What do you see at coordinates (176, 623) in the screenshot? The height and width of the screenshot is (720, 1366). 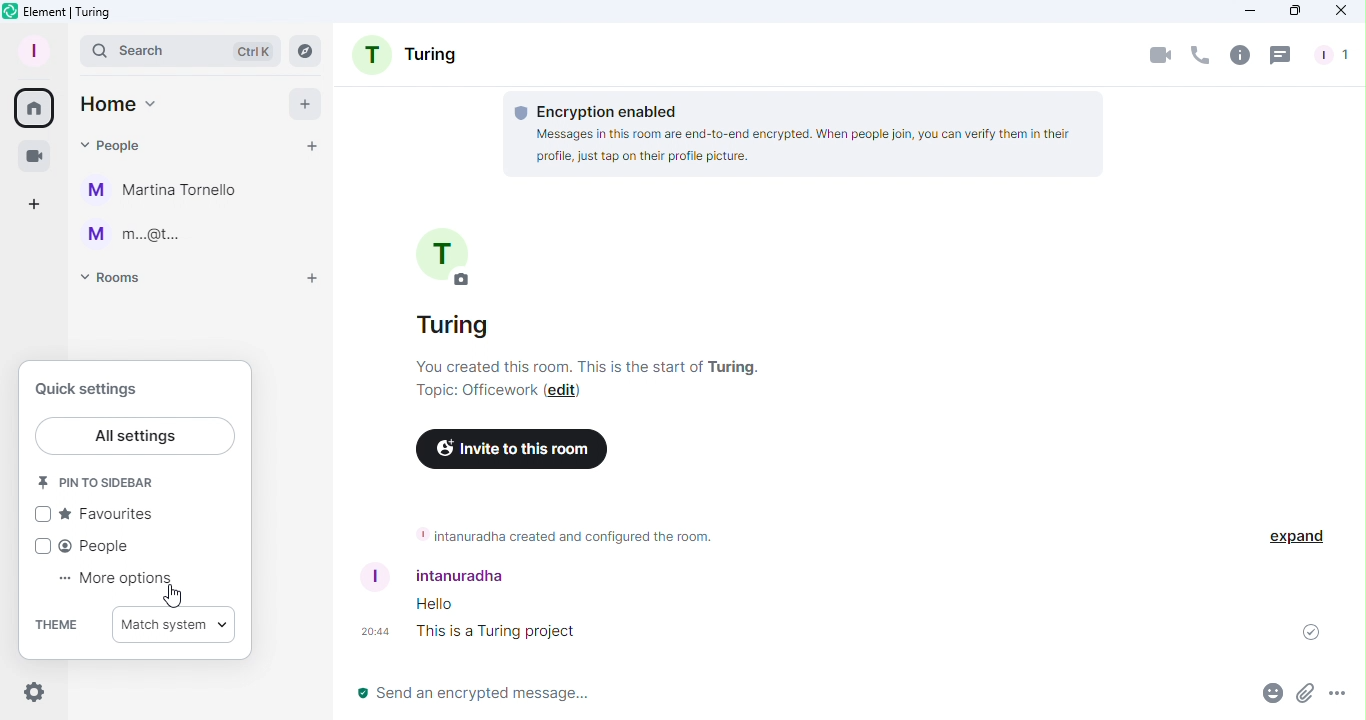 I see `Match system` at bounding box center [176, 623].